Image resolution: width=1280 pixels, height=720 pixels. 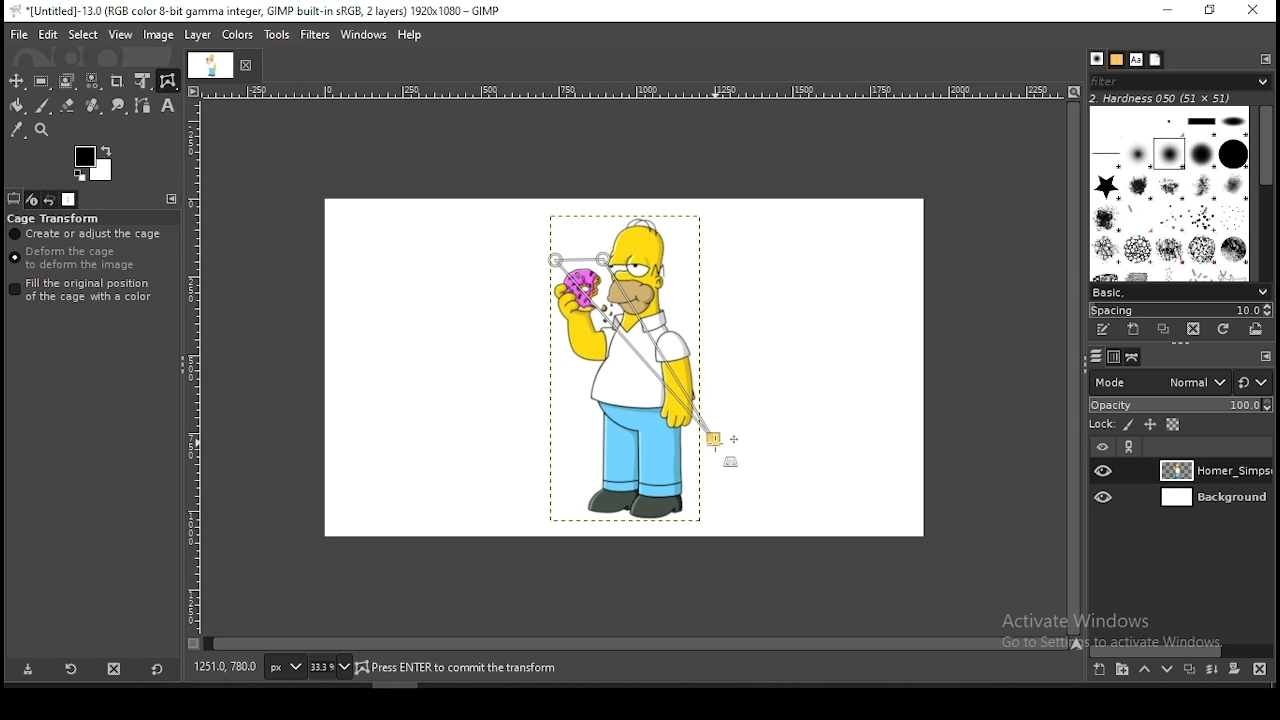 What do you see at coordinates (41, 129) in the screenshot?
I see `zoom tool` at bounding box center [41, 129].